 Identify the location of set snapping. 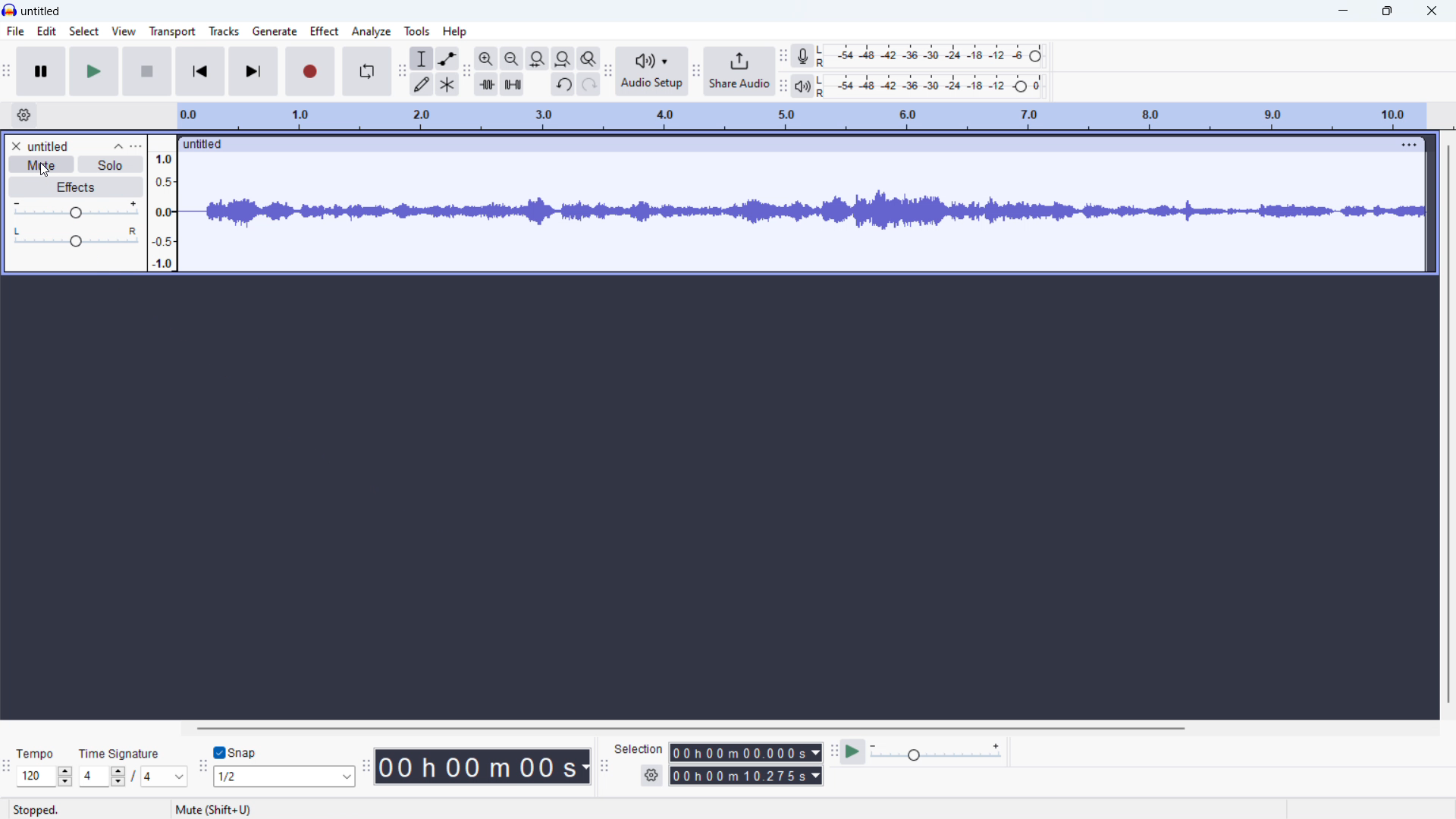
(284, 777).